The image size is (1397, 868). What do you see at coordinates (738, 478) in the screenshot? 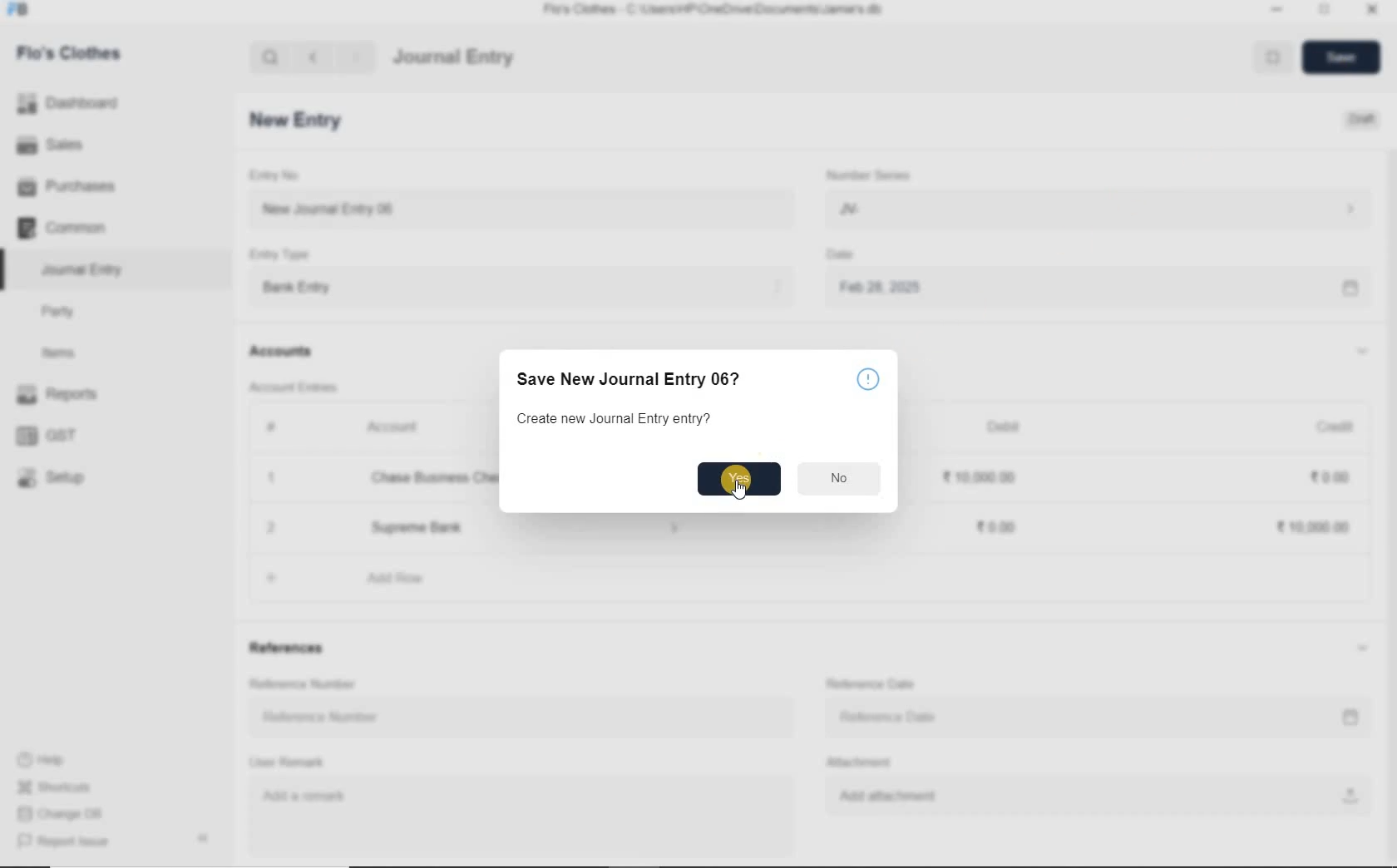
I see `Yes` at bounding box center [738, 478].